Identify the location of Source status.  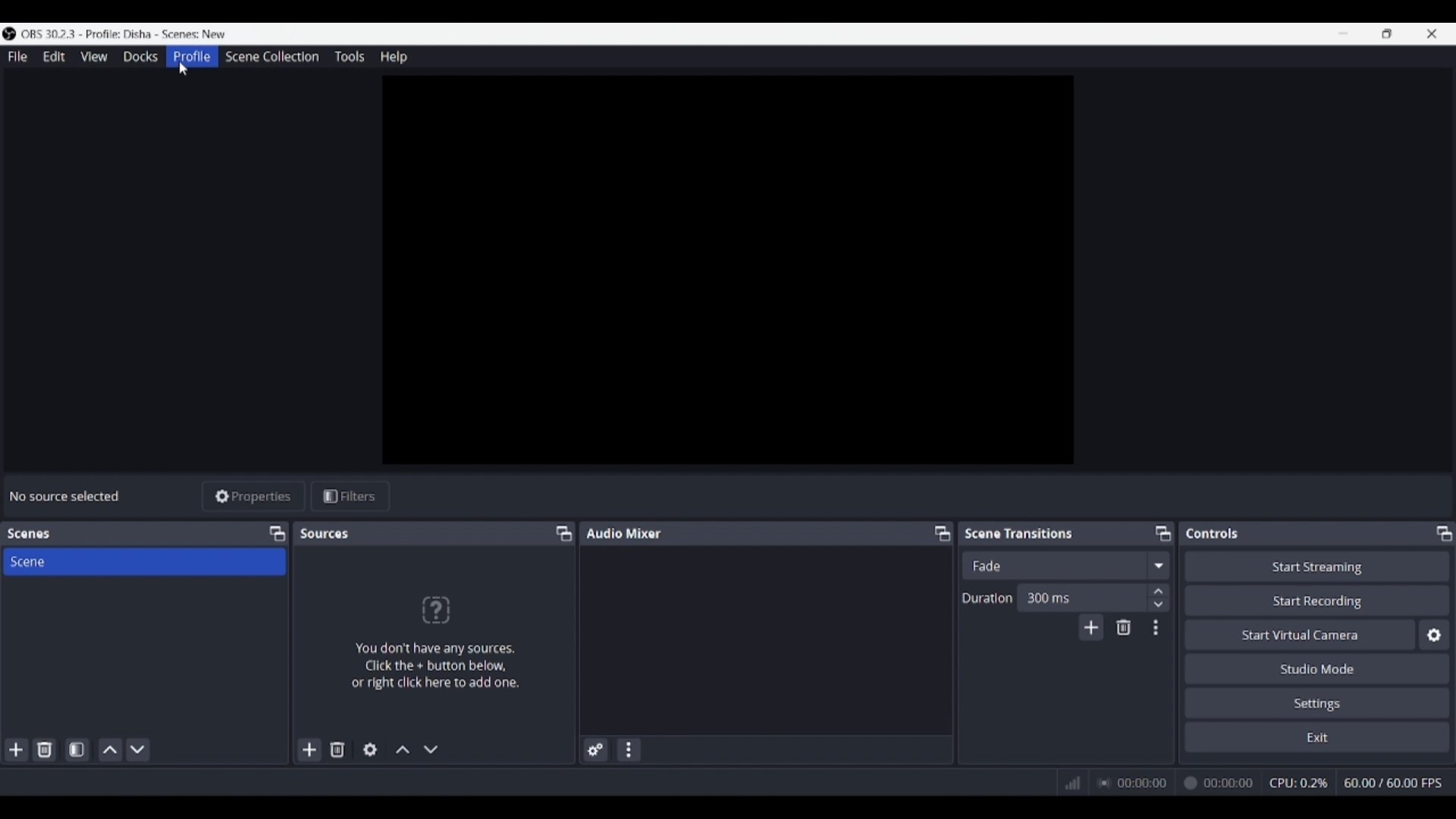
(67, 496).